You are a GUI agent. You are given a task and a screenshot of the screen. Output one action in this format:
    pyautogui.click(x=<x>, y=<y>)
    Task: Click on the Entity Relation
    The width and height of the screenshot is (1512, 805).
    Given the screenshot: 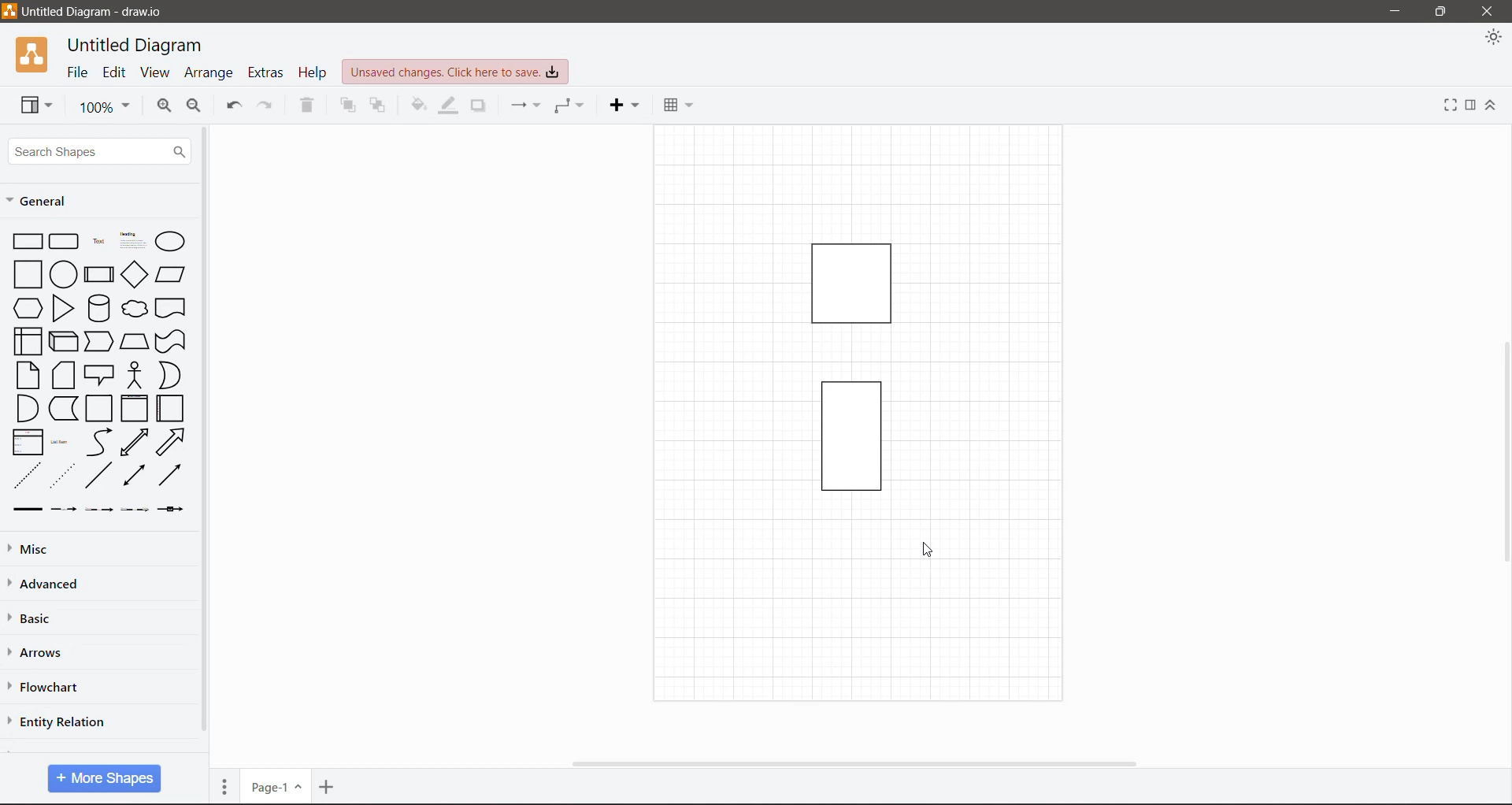 What is the action you would take?
    pyautogui.click(x=57, y=721)
    